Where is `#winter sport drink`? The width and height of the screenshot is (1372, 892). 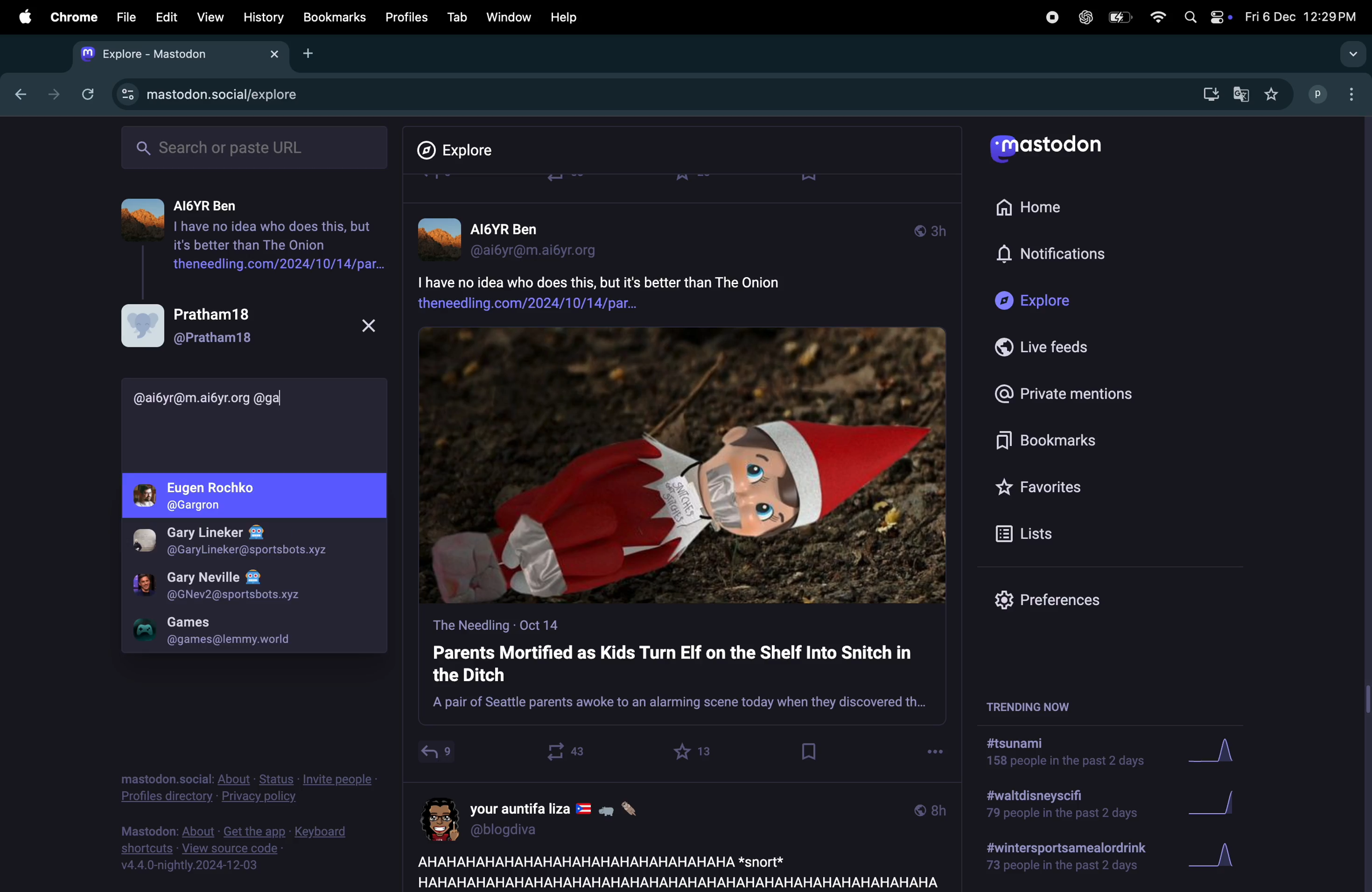
#winter sport drink is located at coordinates (1063, 859).